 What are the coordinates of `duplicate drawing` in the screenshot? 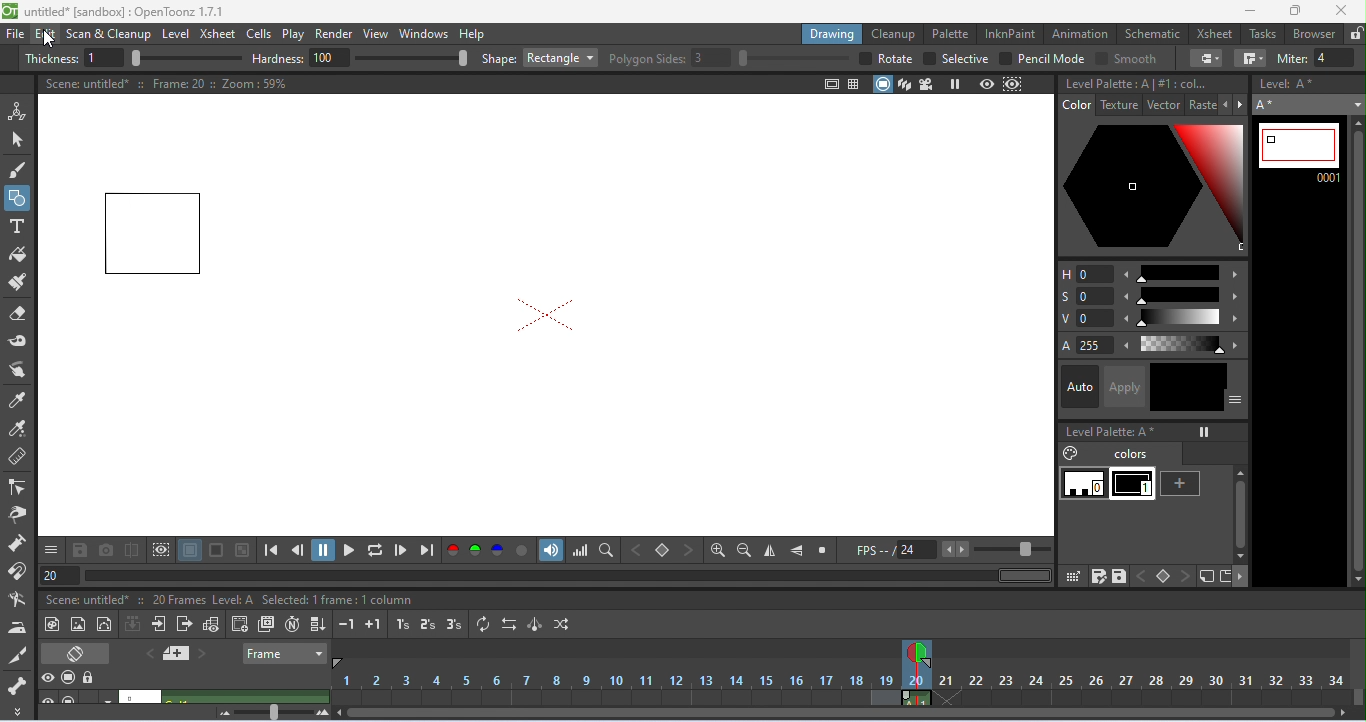 It's located at (268, 626).